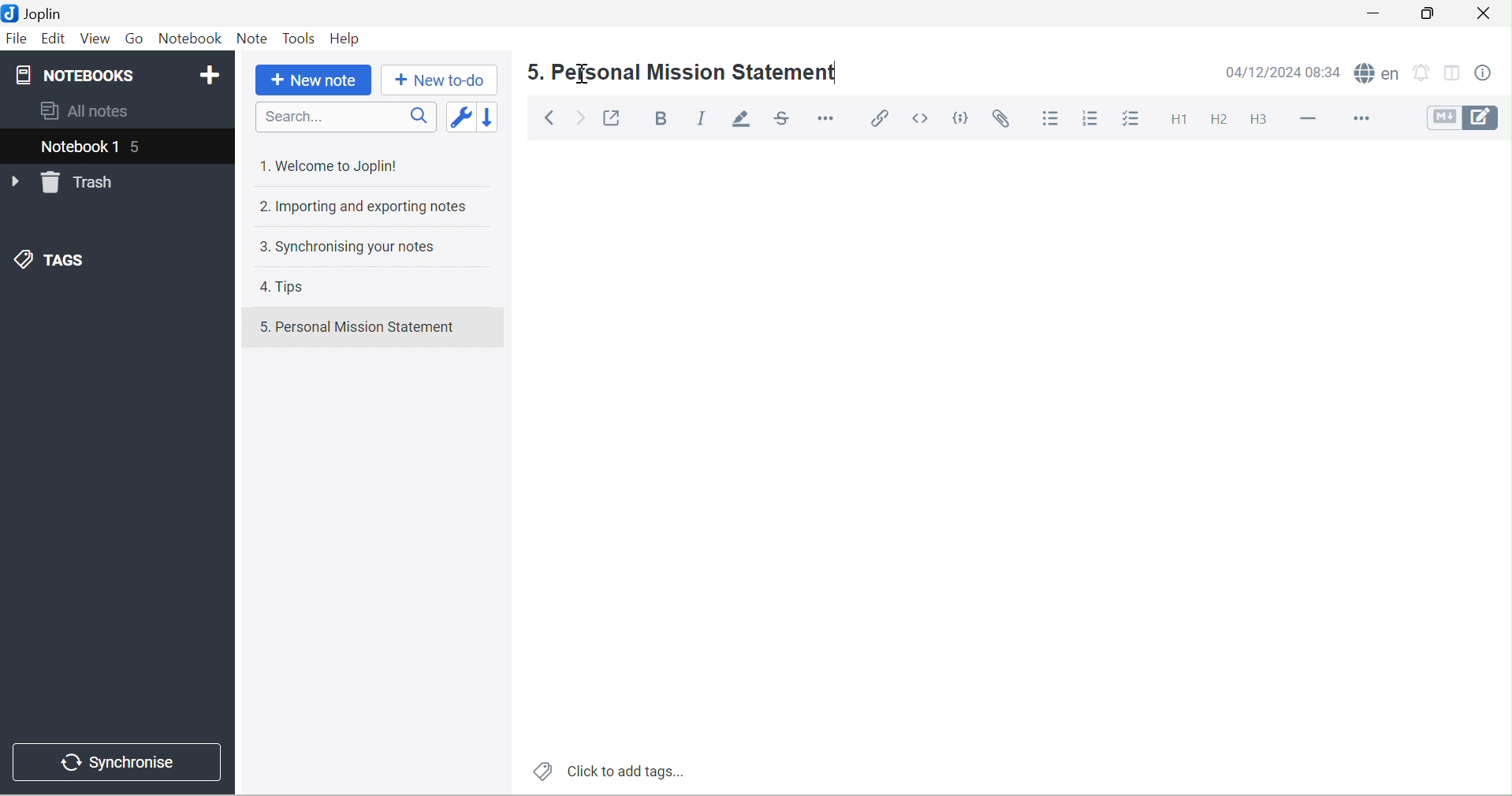 The height and width of the screenshot is (796, 1512). What do you see at coordinates (460, 120) in the screenshot?
I see `Toggle sort order field` at bounding box center [460, 120].